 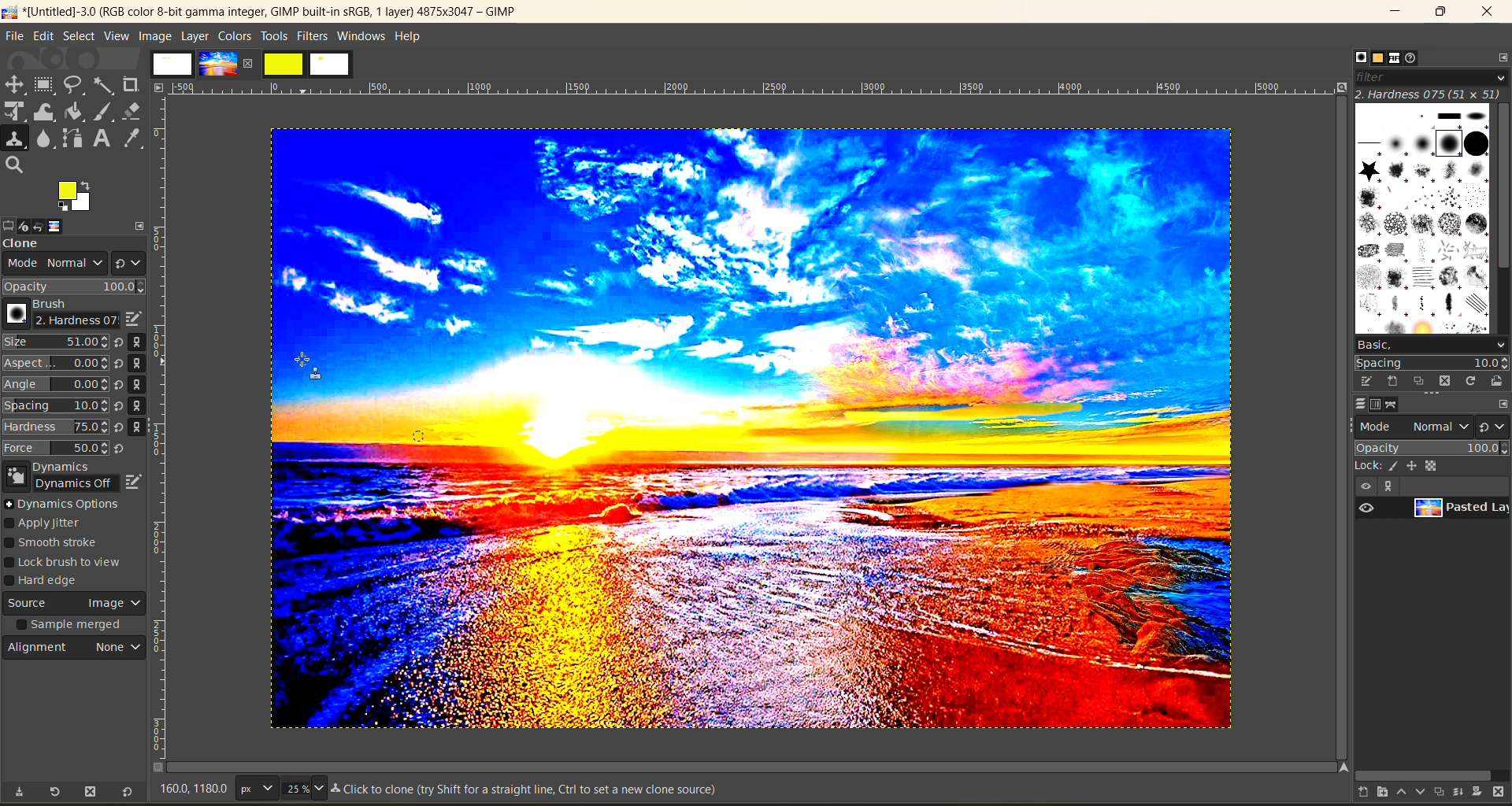 I want to click on select, so click(x=79, y=35).